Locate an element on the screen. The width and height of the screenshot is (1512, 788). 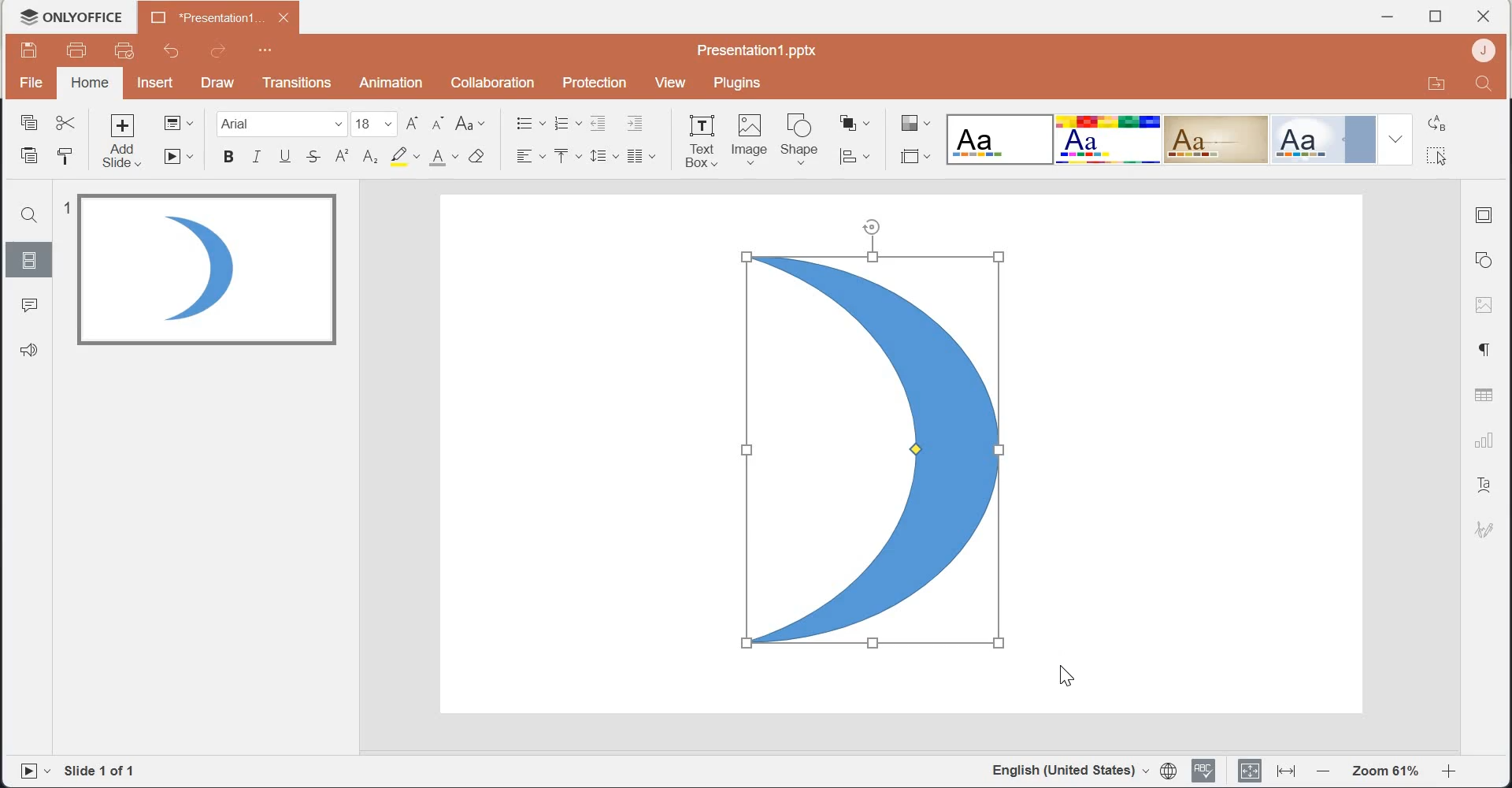
Vertical Align is located at coordinates (569, 154).